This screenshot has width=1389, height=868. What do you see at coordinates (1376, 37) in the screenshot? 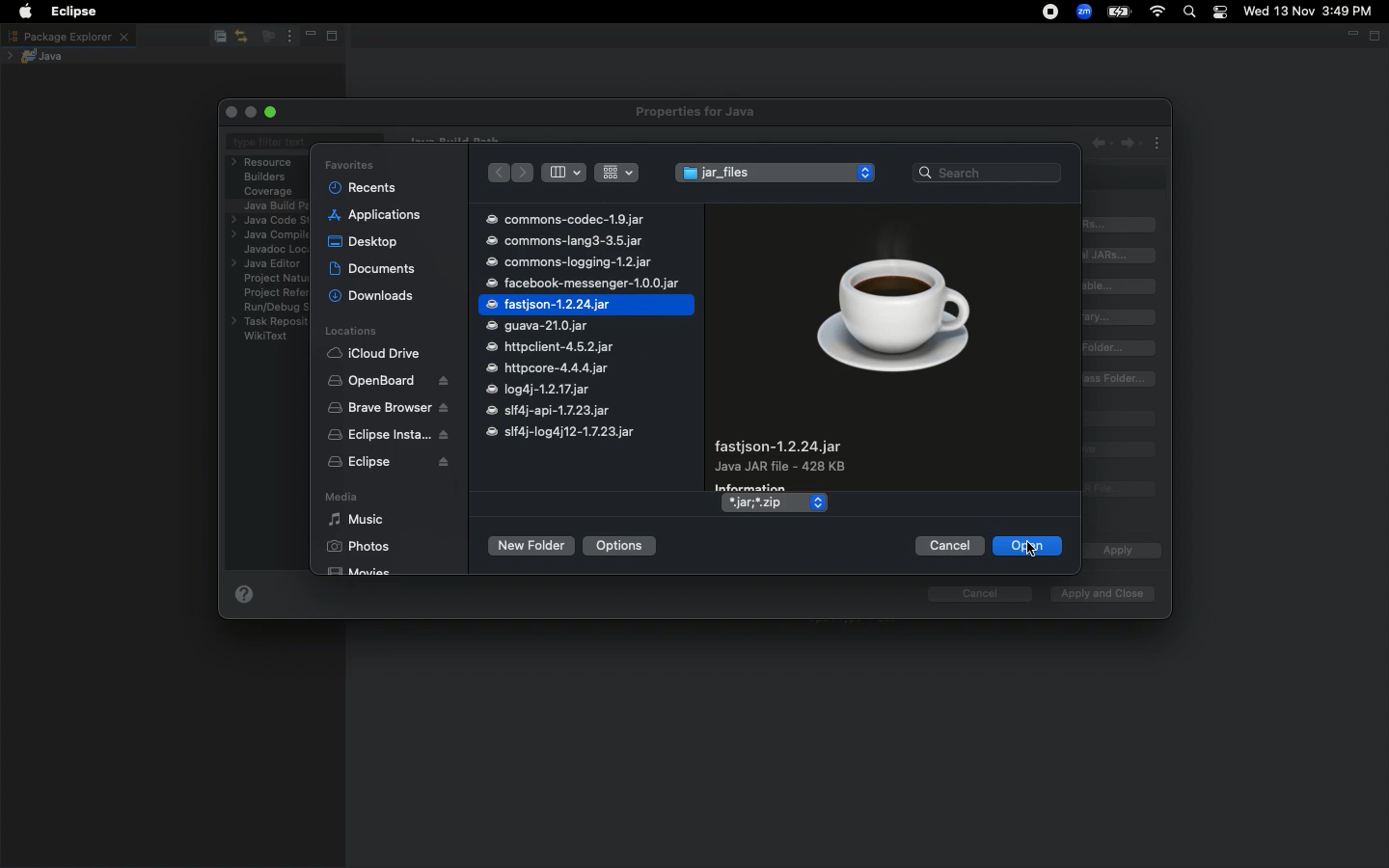
I see `Maximize` at bounding box center [1376, 37].